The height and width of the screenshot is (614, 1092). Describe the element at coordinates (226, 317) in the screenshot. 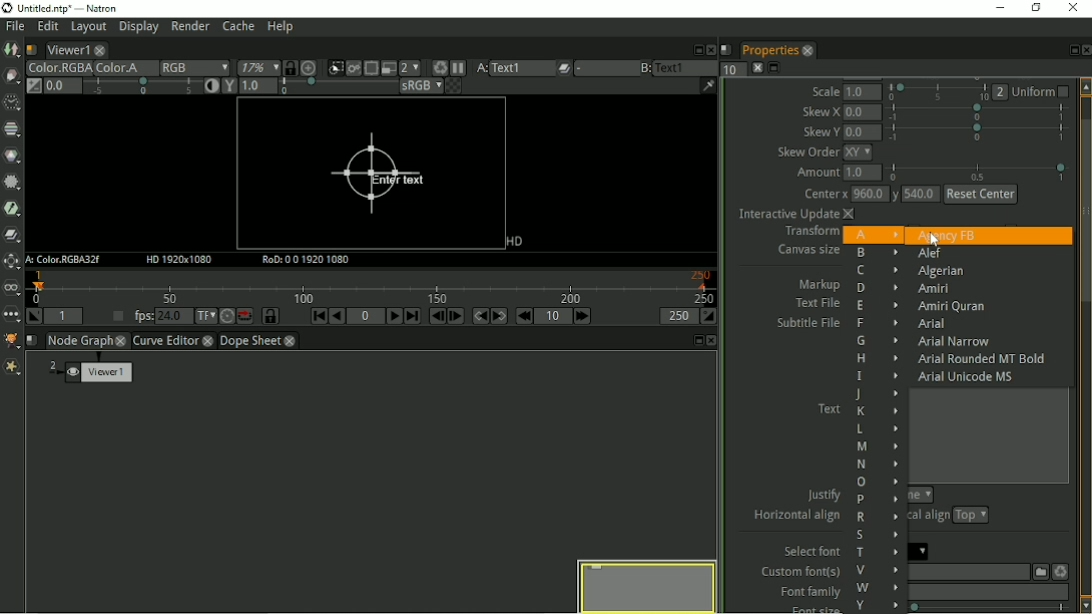

I see `Turbo mode` at that location.